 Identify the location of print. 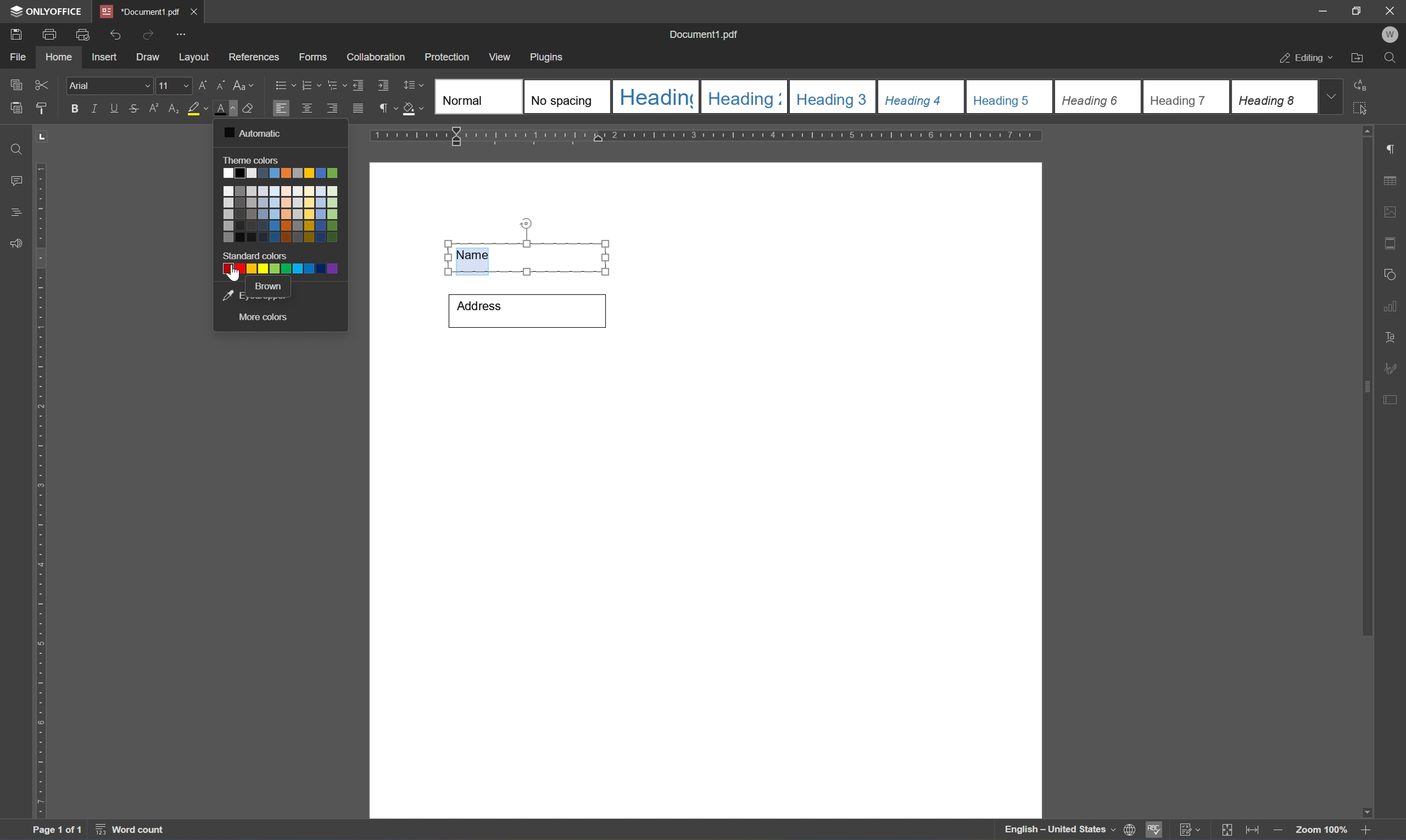
(47, 36).